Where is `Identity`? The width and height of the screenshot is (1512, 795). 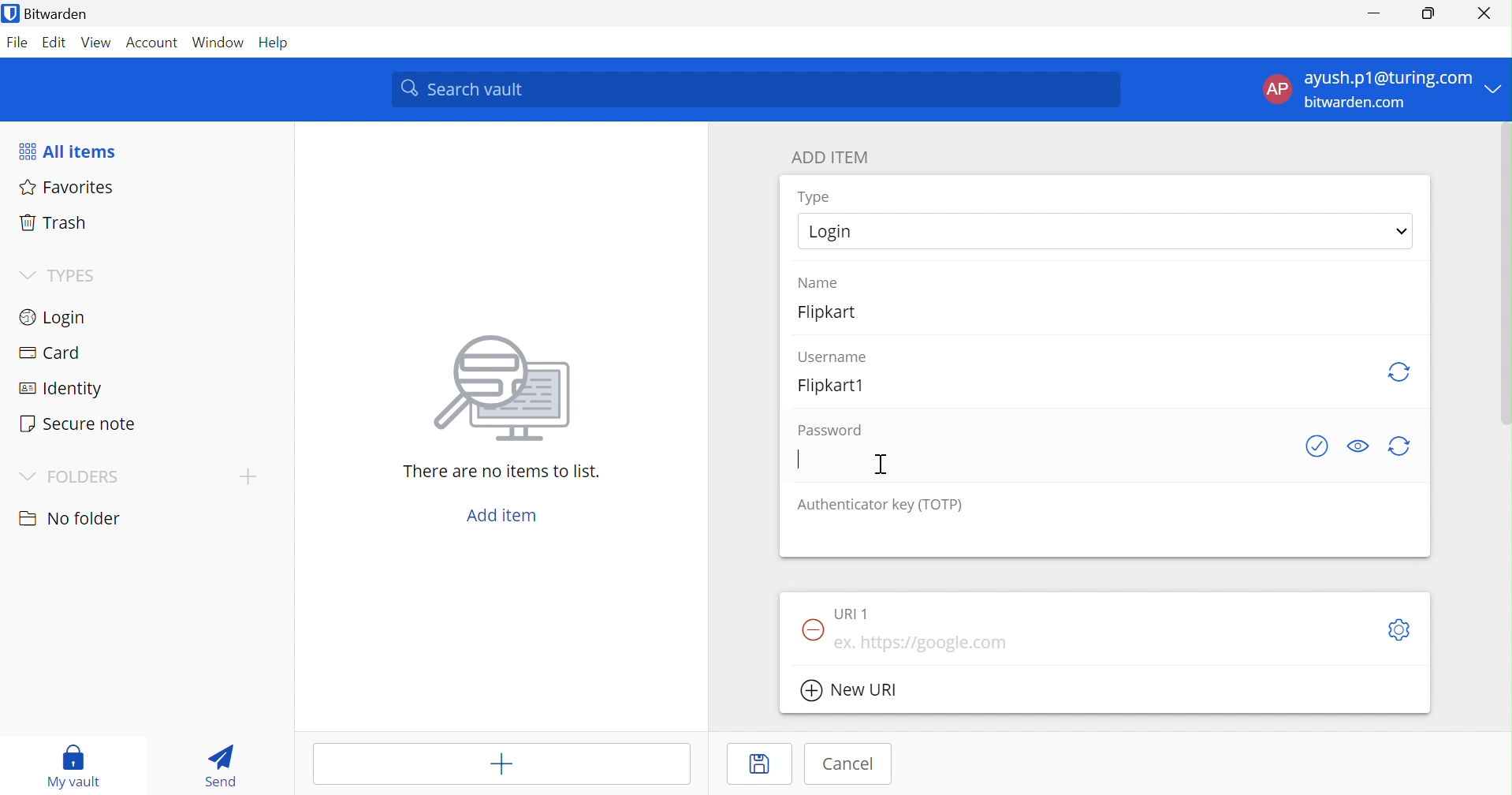
Identity is located at coordinates (62, 390).